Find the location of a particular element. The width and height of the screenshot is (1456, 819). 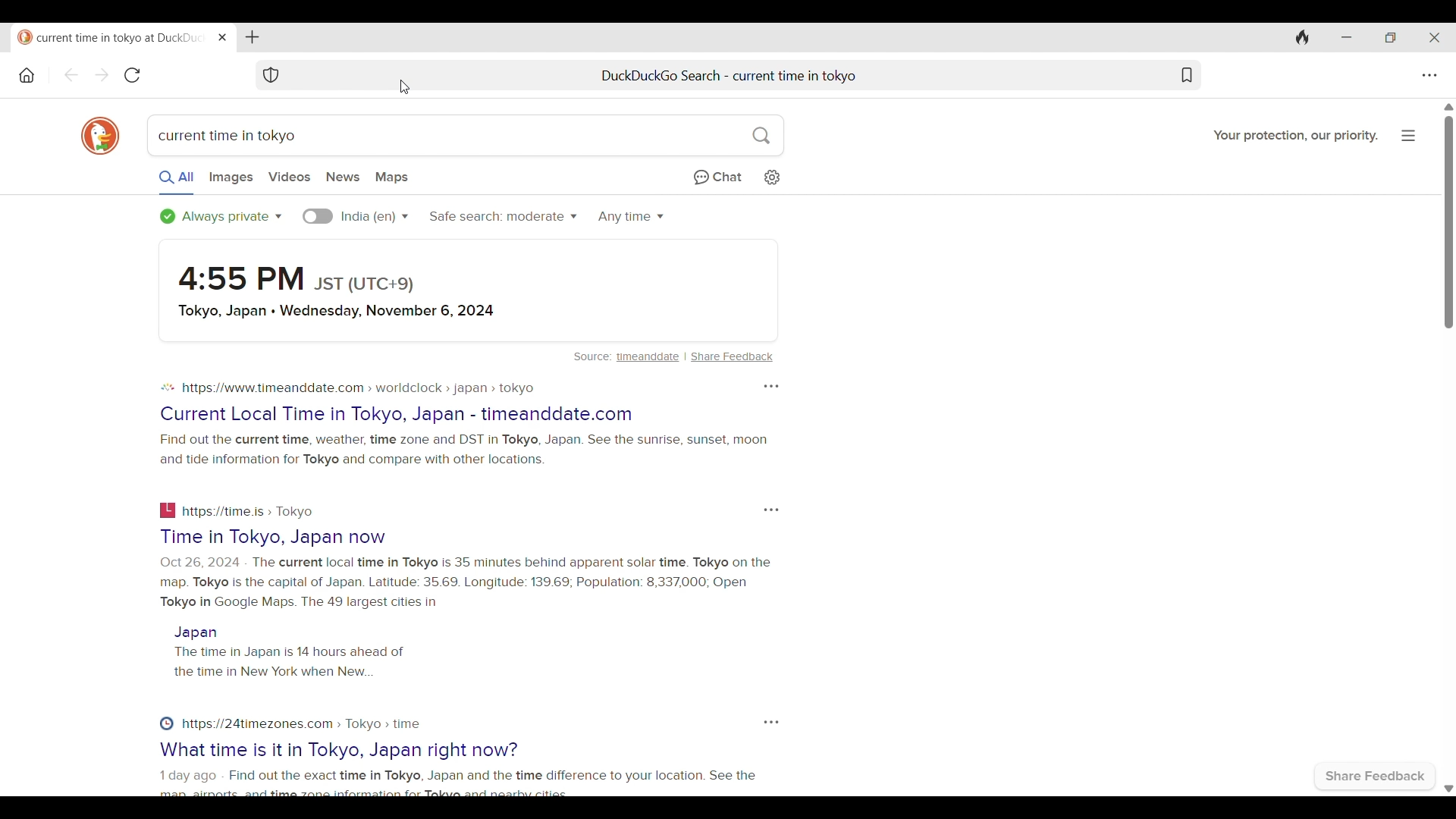

https://24timezones.com > Tokyo > time is located at coordinates (302, 724).